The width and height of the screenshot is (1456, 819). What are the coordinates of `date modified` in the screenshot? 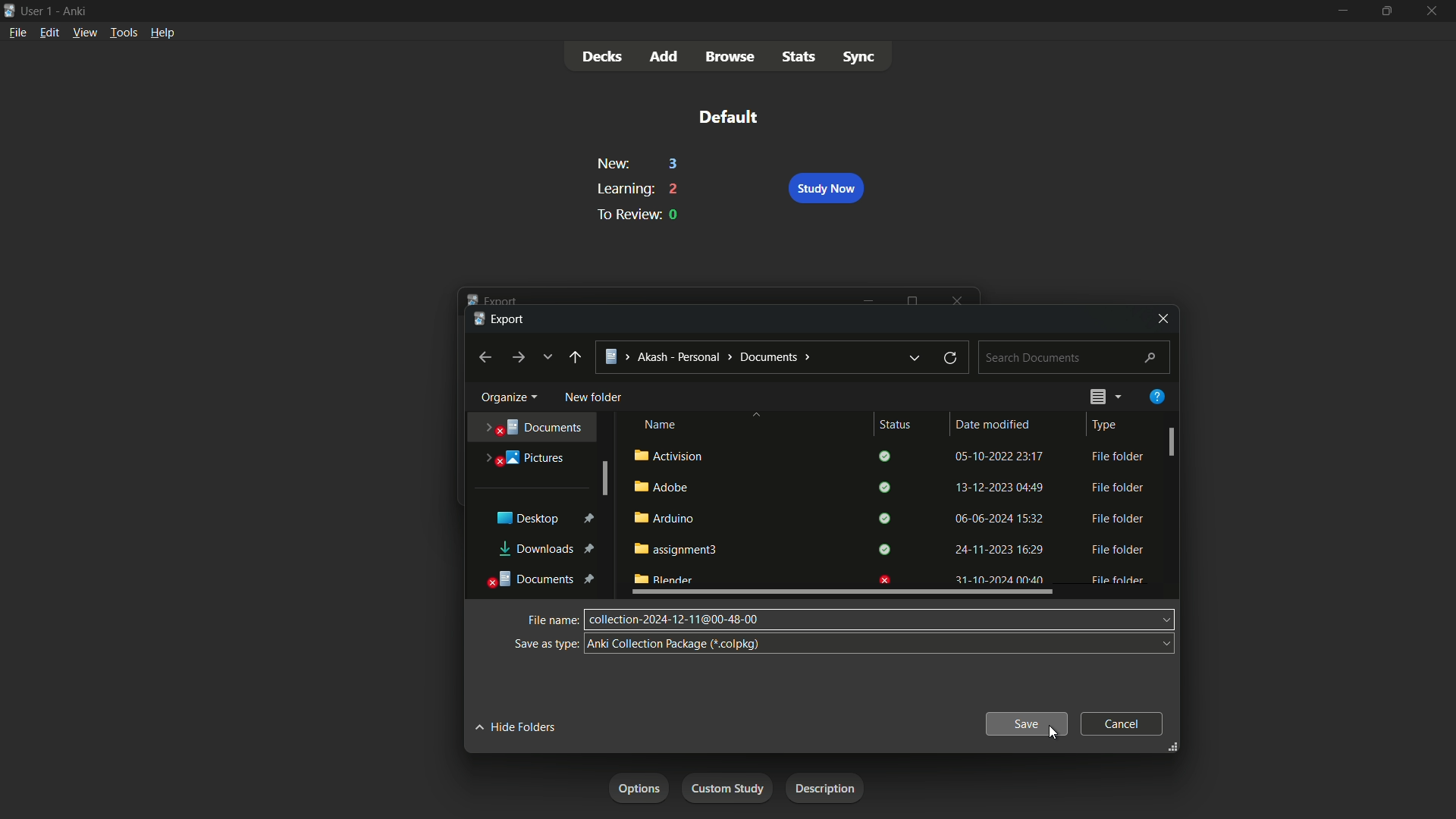 It's located at (993, 424).